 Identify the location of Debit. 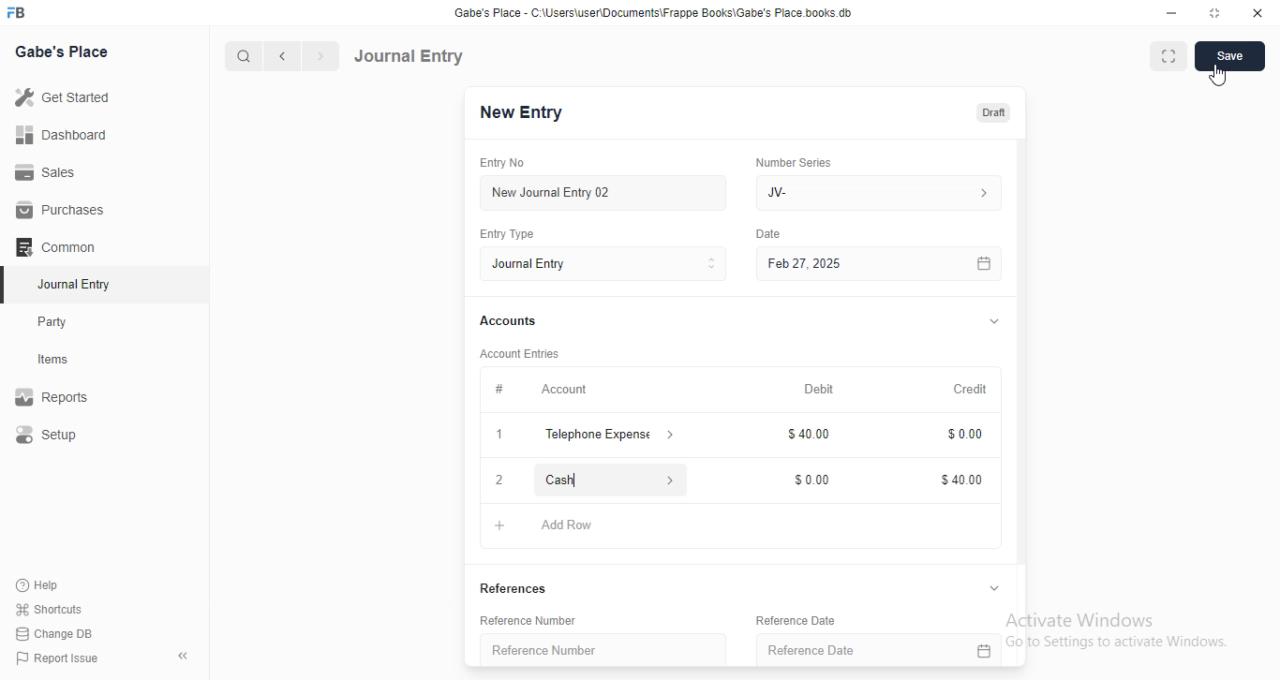
(819, 390).